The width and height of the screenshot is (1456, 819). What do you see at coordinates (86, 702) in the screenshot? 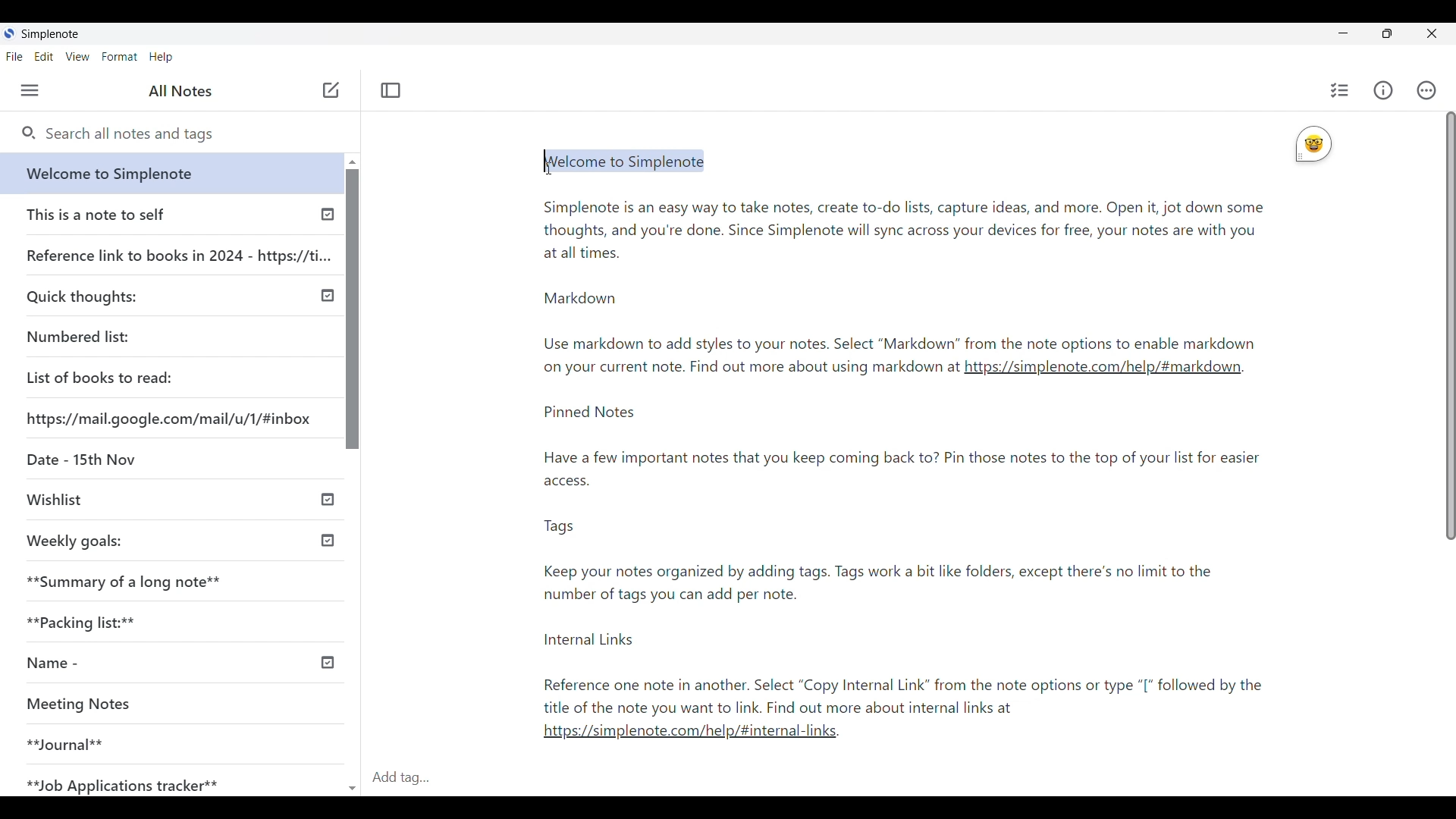
I see `Meeting Notes` at bounding box center [86, 702].